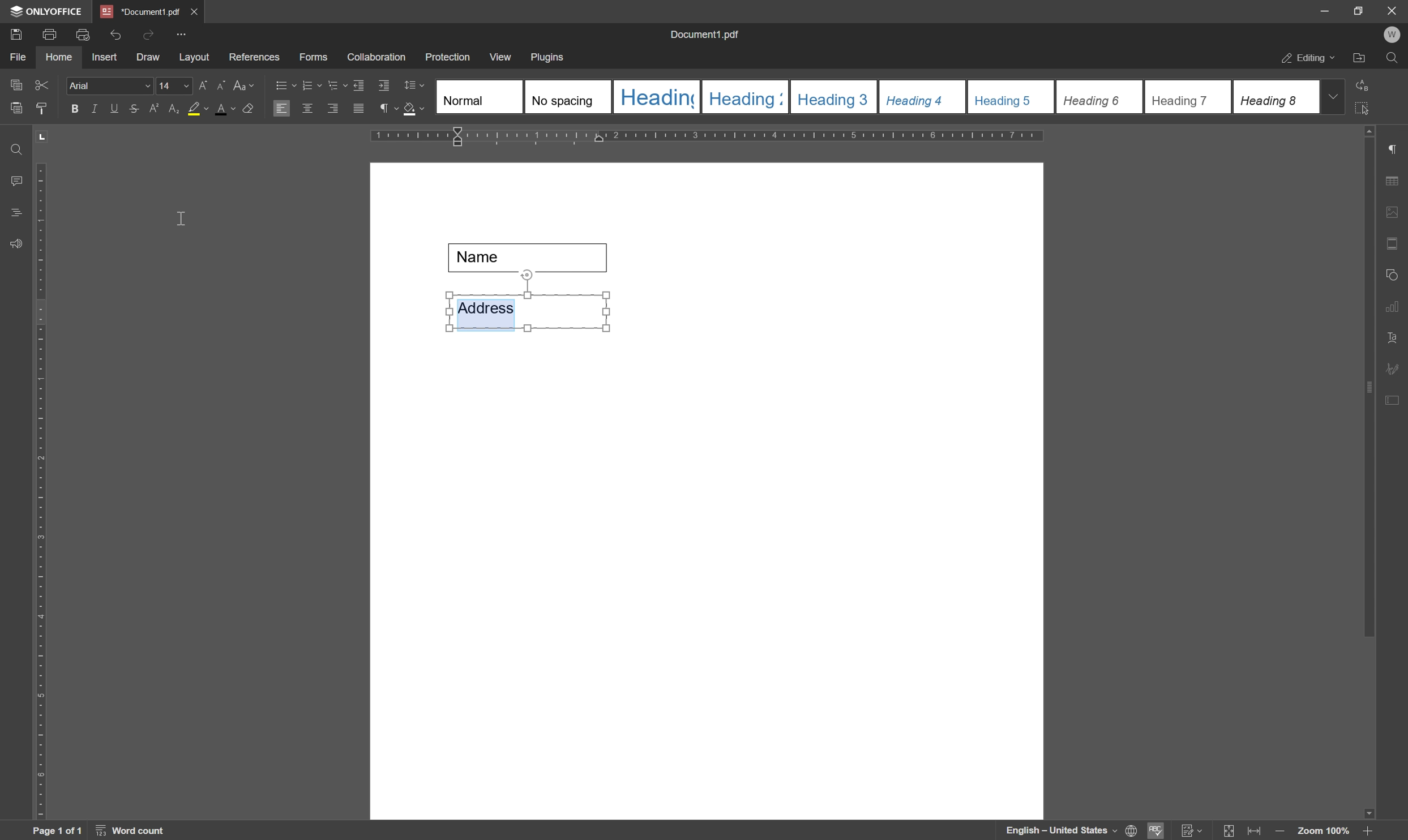 Image resolution: width=1408 pixels, height=840 pixels. What do you see at coordinates (15, 83) in the screenshot?
I see `copy` at bounding box center [15, 83].